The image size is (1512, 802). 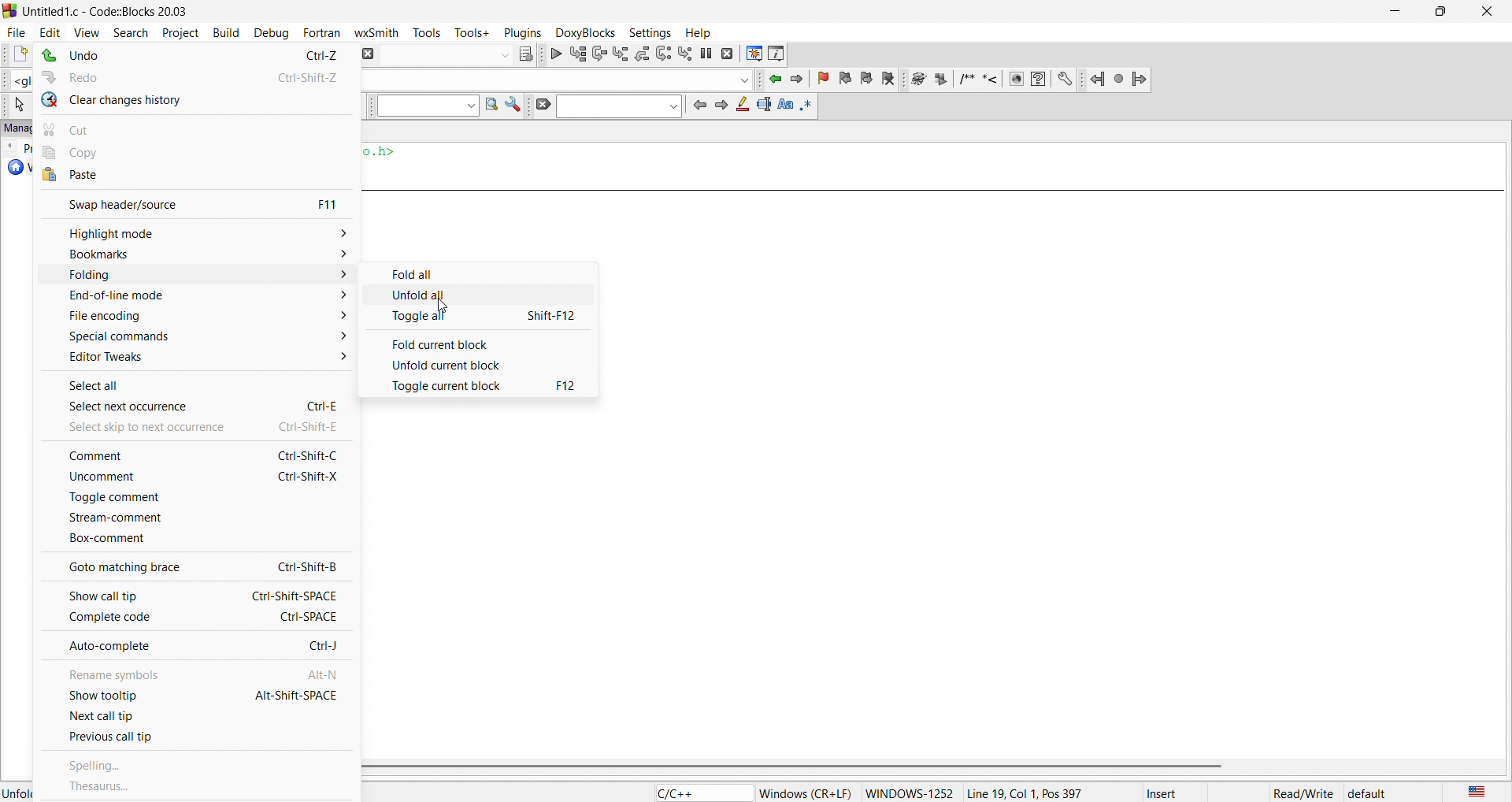 I want to click on default, so click(x=1368, y=793).